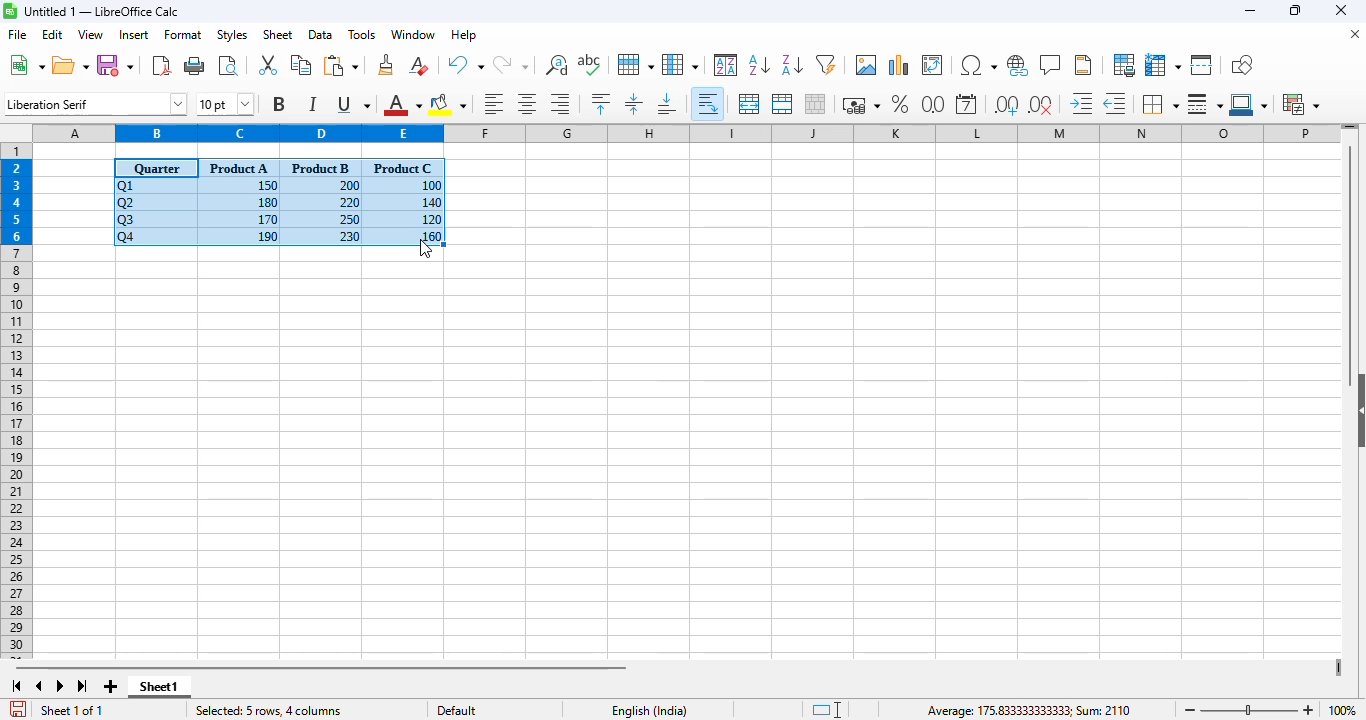 The width and height of the screenshot is (1366, 720). Describe the element at coordinates (590, 65) in the screenshot. I see `spelling` at that location.